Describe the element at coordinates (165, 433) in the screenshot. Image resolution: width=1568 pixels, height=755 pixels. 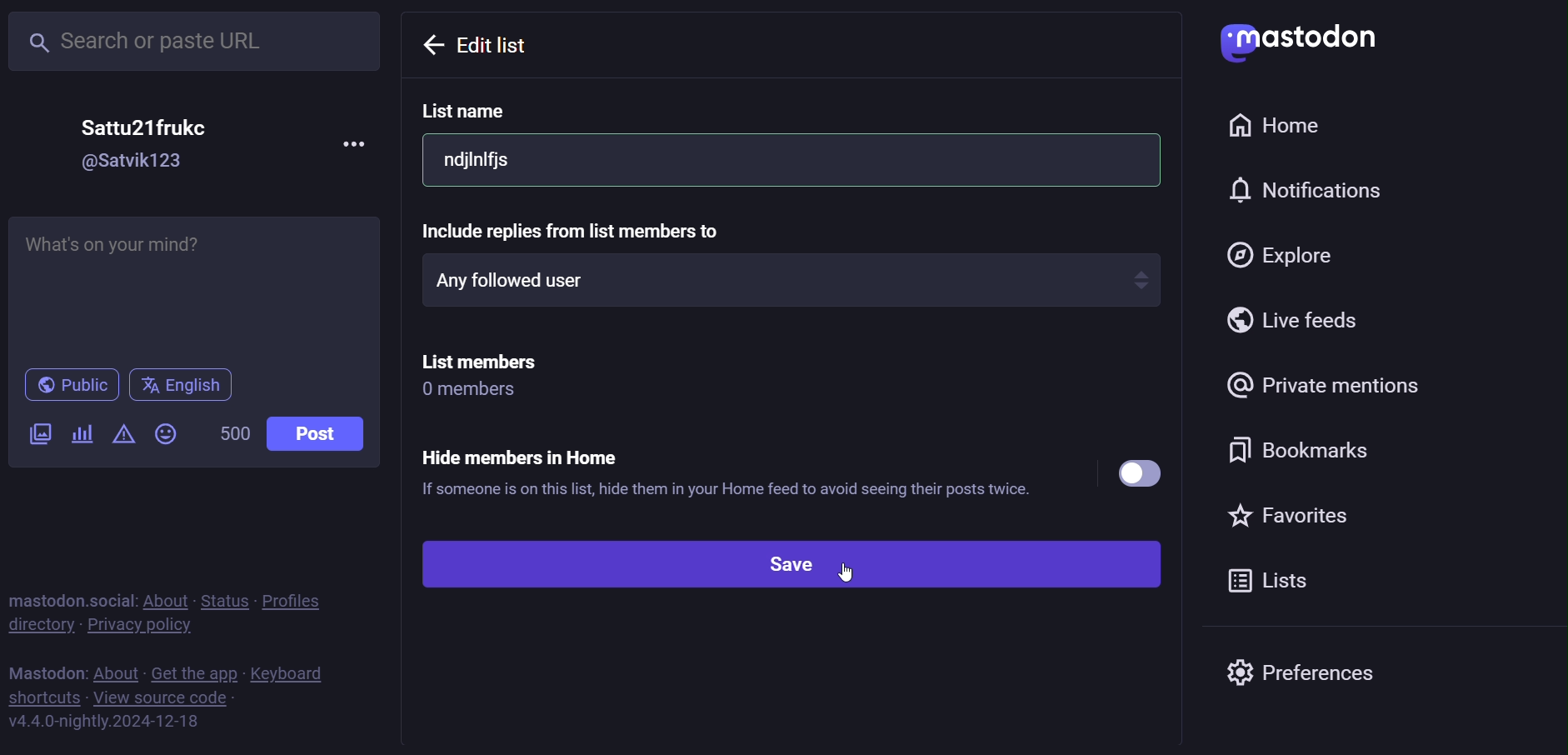
I see `emoji` at that location.